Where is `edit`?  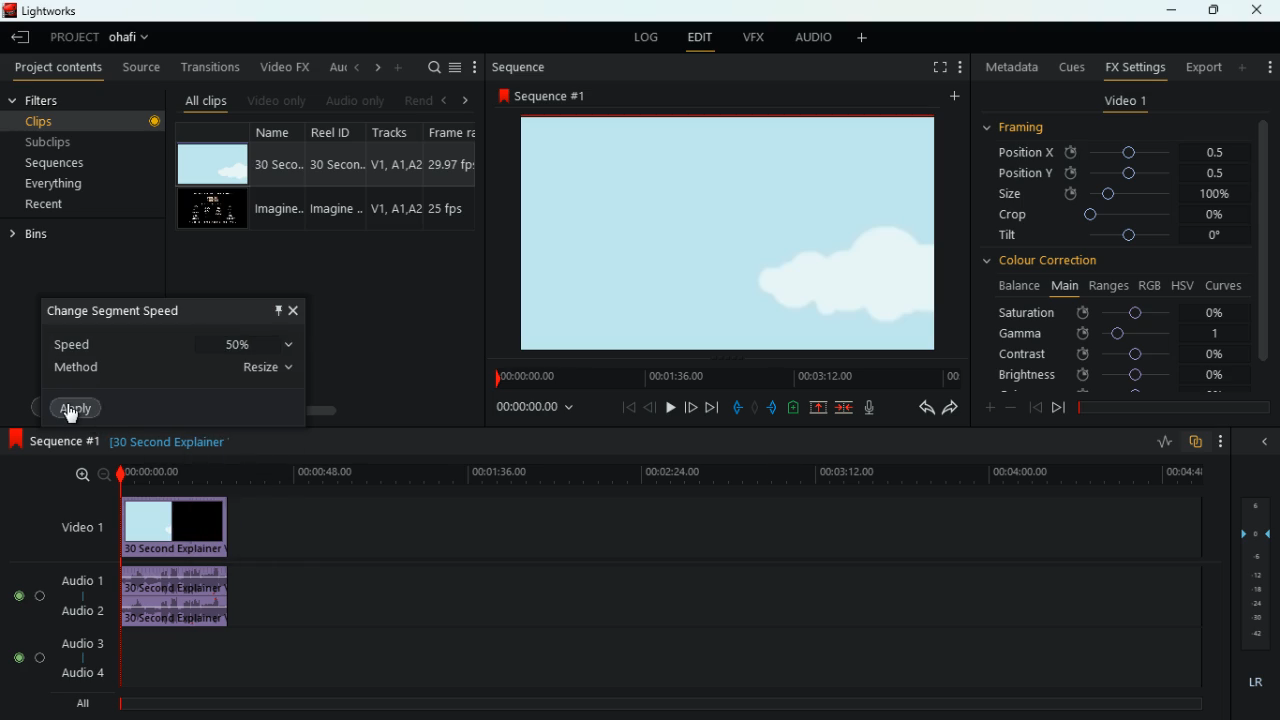 edit is located at coordinates (700, 37).